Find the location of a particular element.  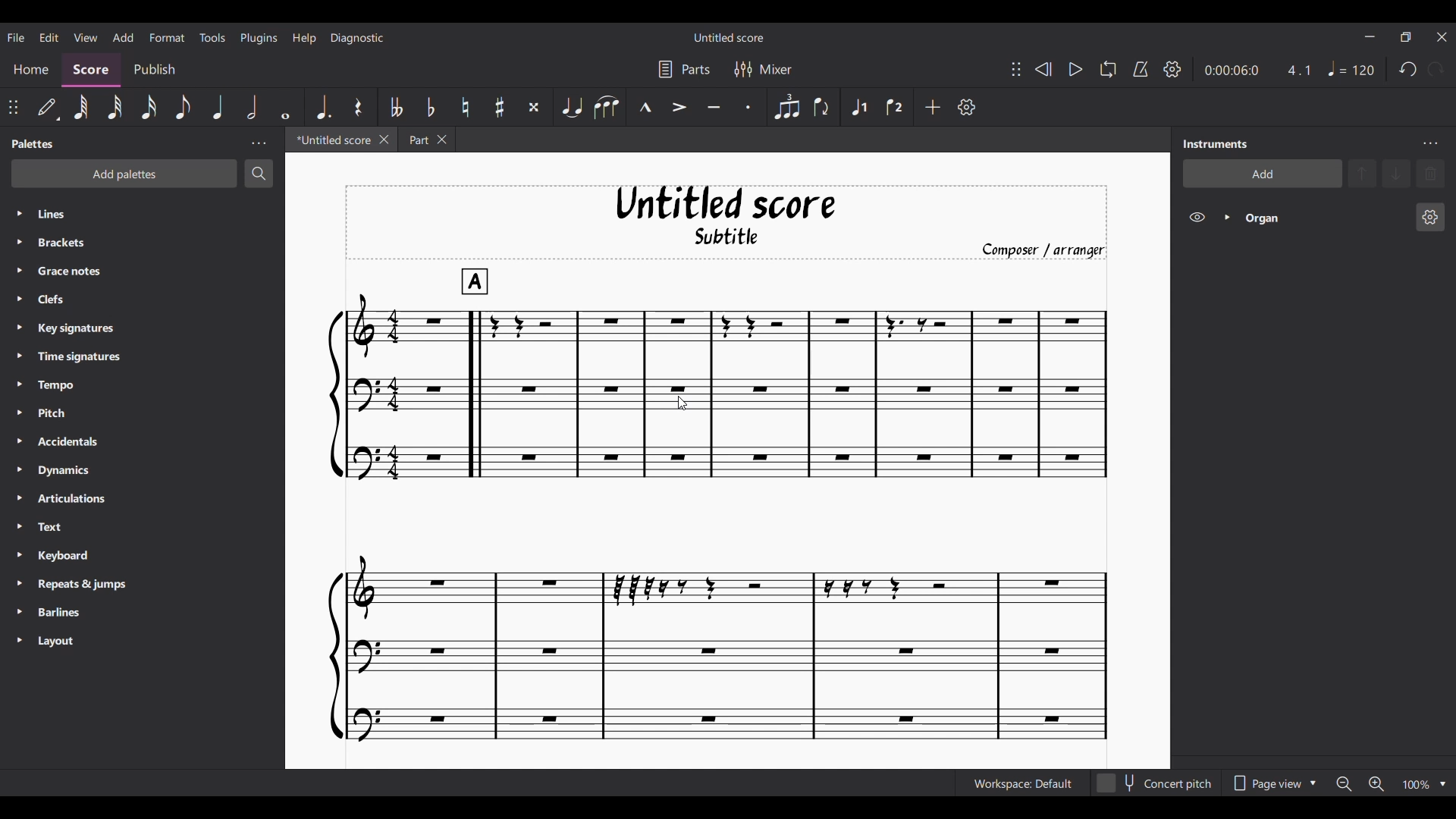

Close Part tab is located at coordinates (442, 140).